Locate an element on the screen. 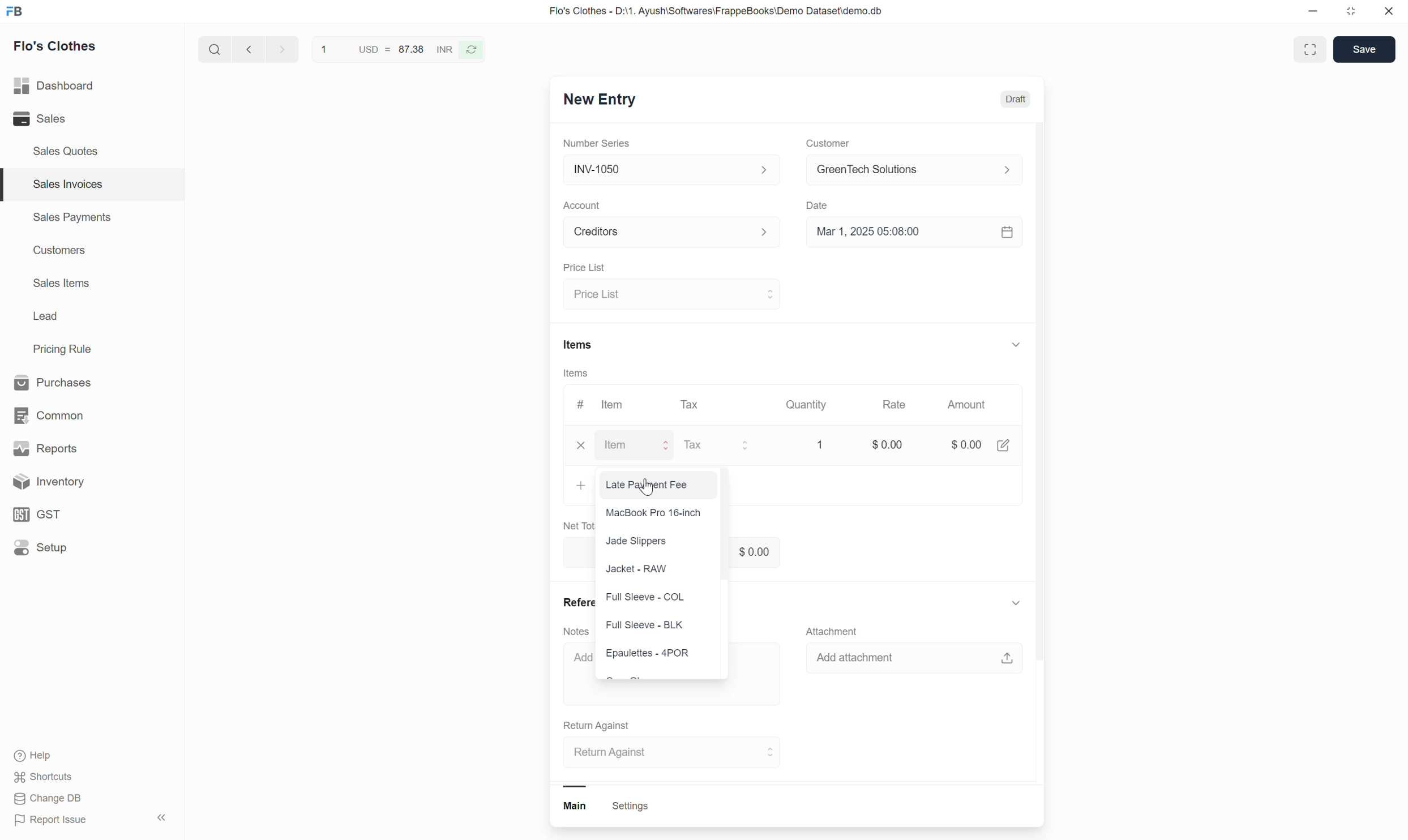  Select date  is located at coordinates (914, 236).